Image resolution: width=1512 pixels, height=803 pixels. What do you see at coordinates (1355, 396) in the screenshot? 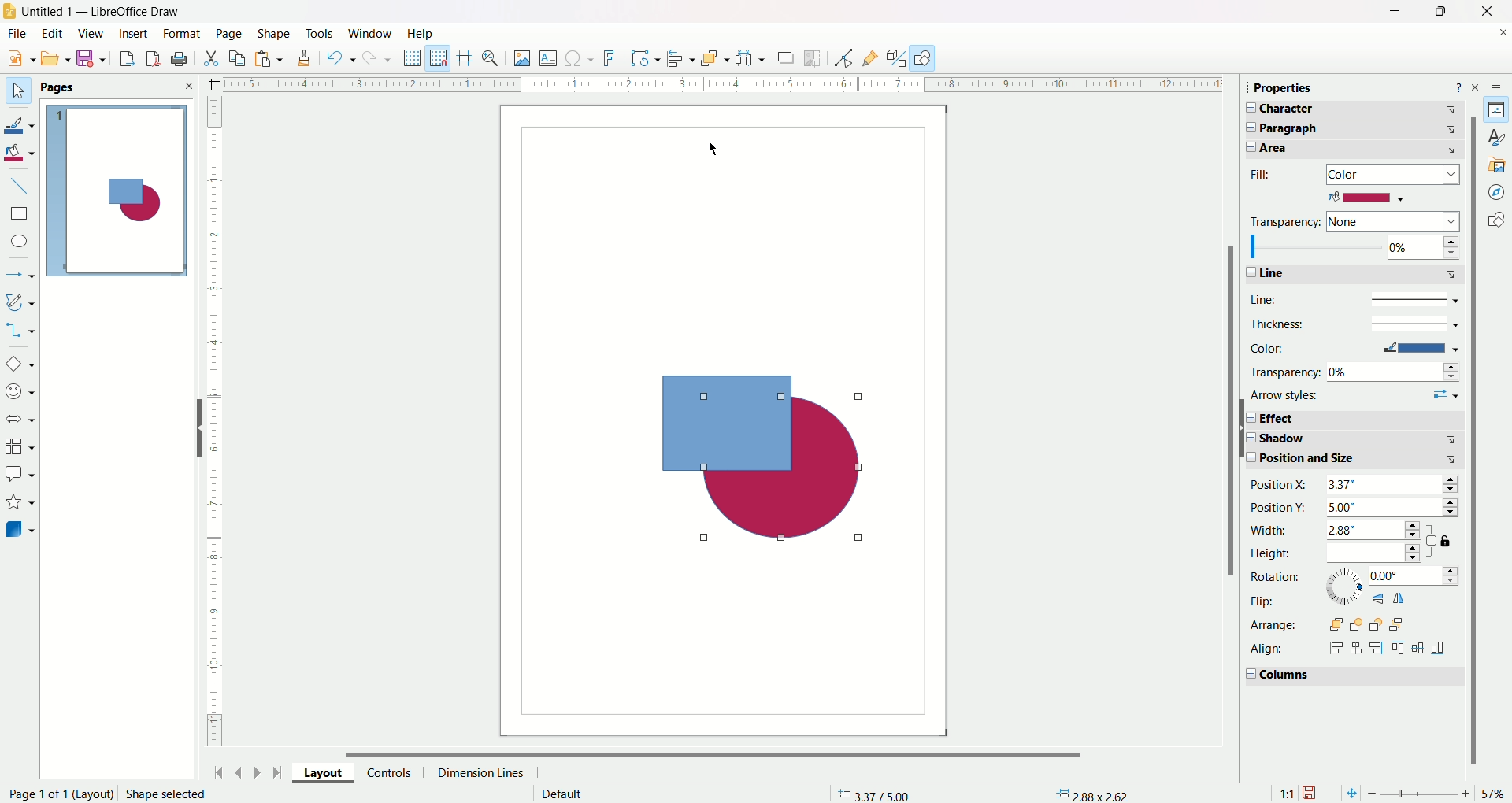
I see `arrow style` at bounding box center [1355, 396].